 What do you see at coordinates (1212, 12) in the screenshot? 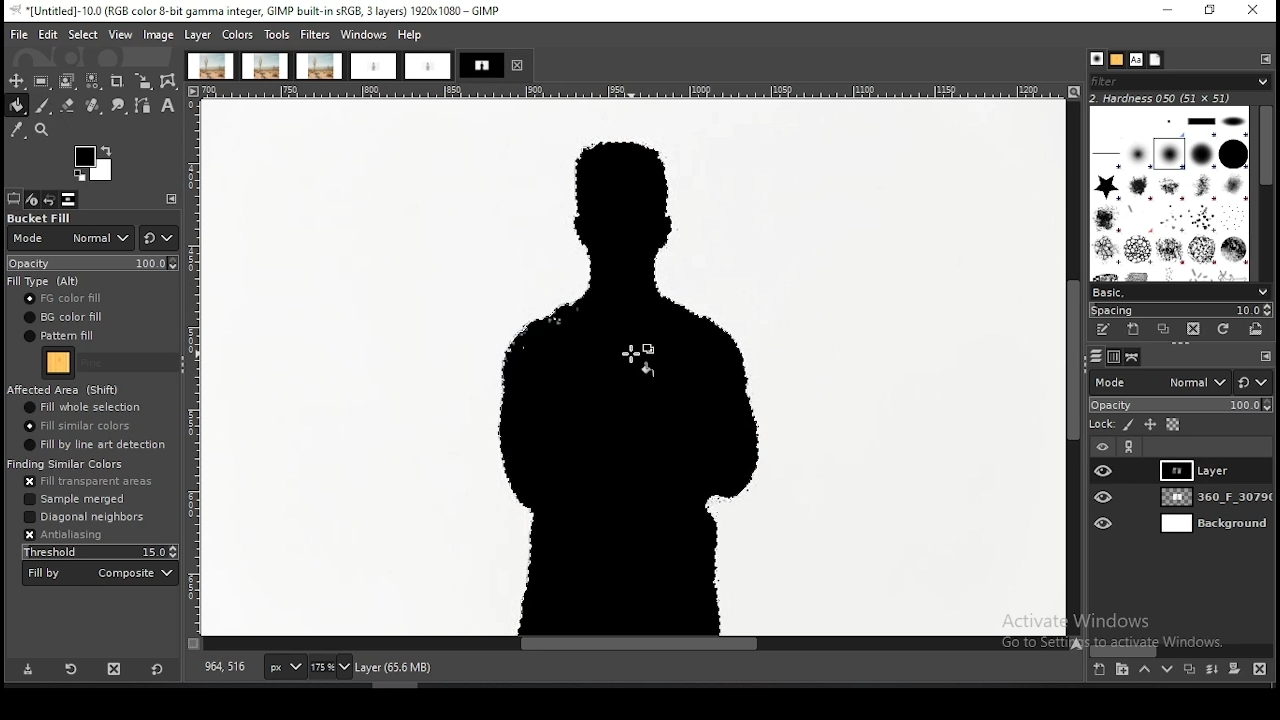
I see `restore` at bounding box center [1212, 12].